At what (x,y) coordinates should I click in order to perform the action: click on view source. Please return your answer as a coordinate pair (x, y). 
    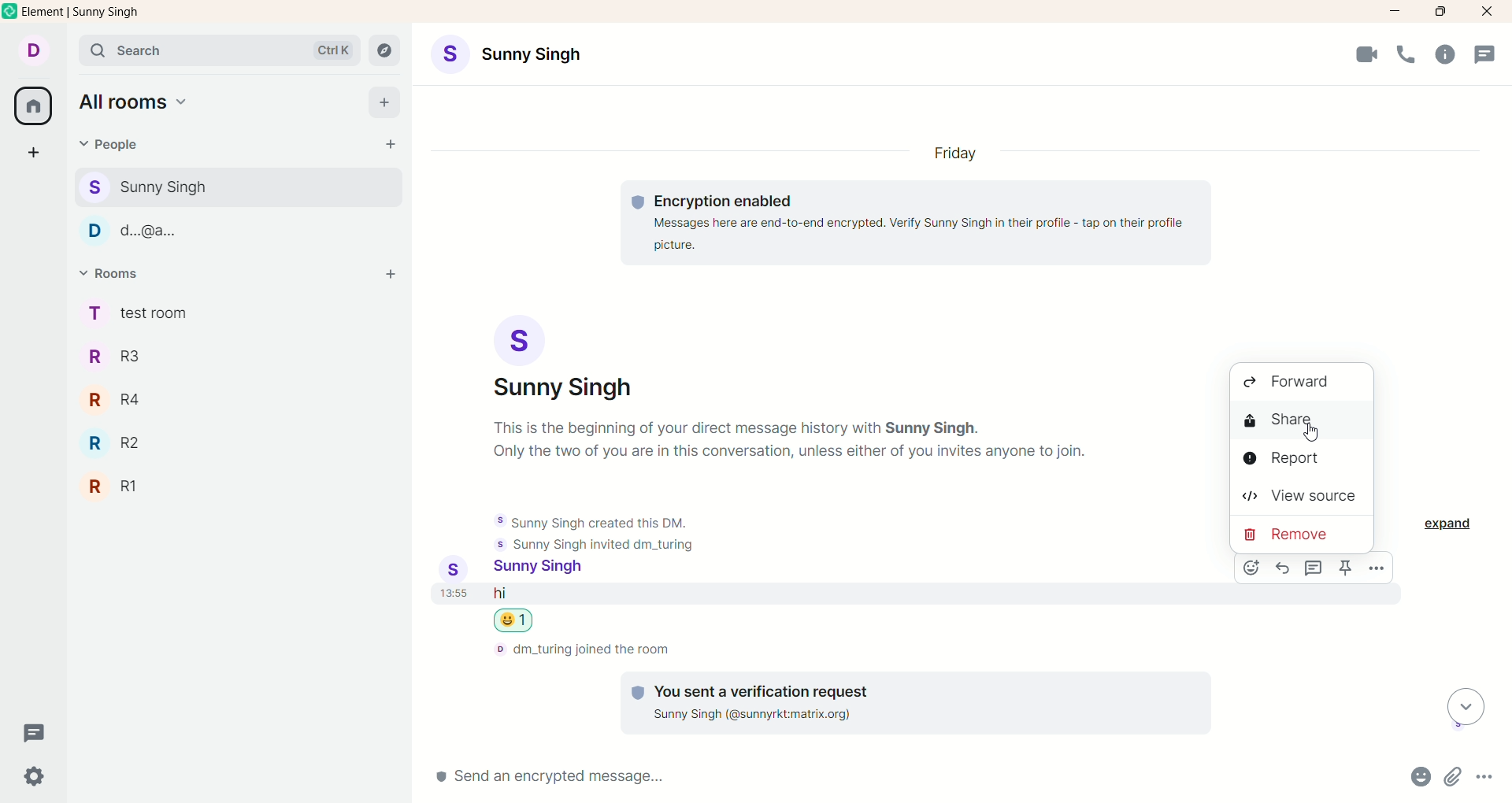
    Looking at the image, I should click on (1299, 497).